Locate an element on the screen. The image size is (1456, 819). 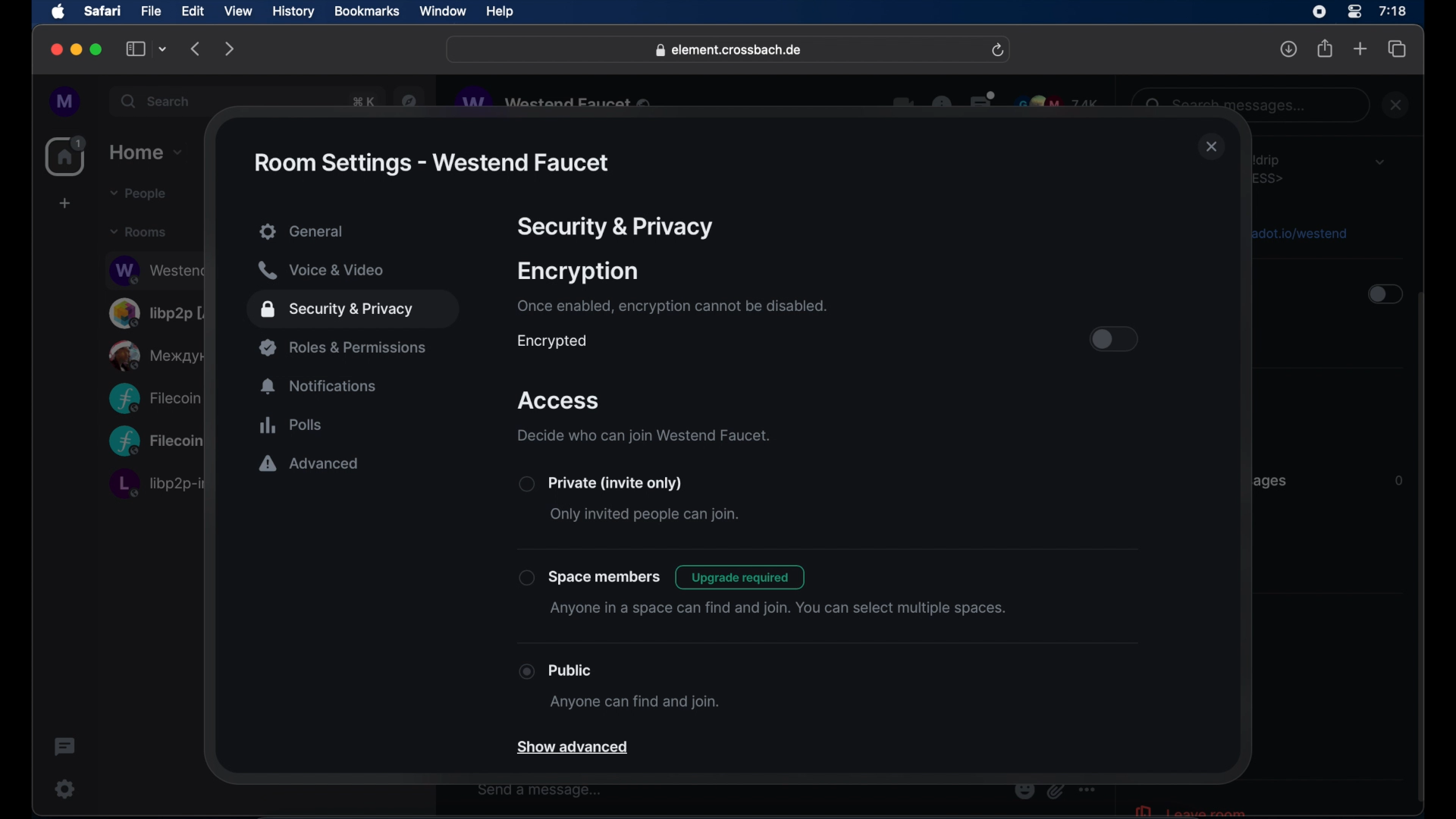
show advanced is located at coordinates (575, 749).